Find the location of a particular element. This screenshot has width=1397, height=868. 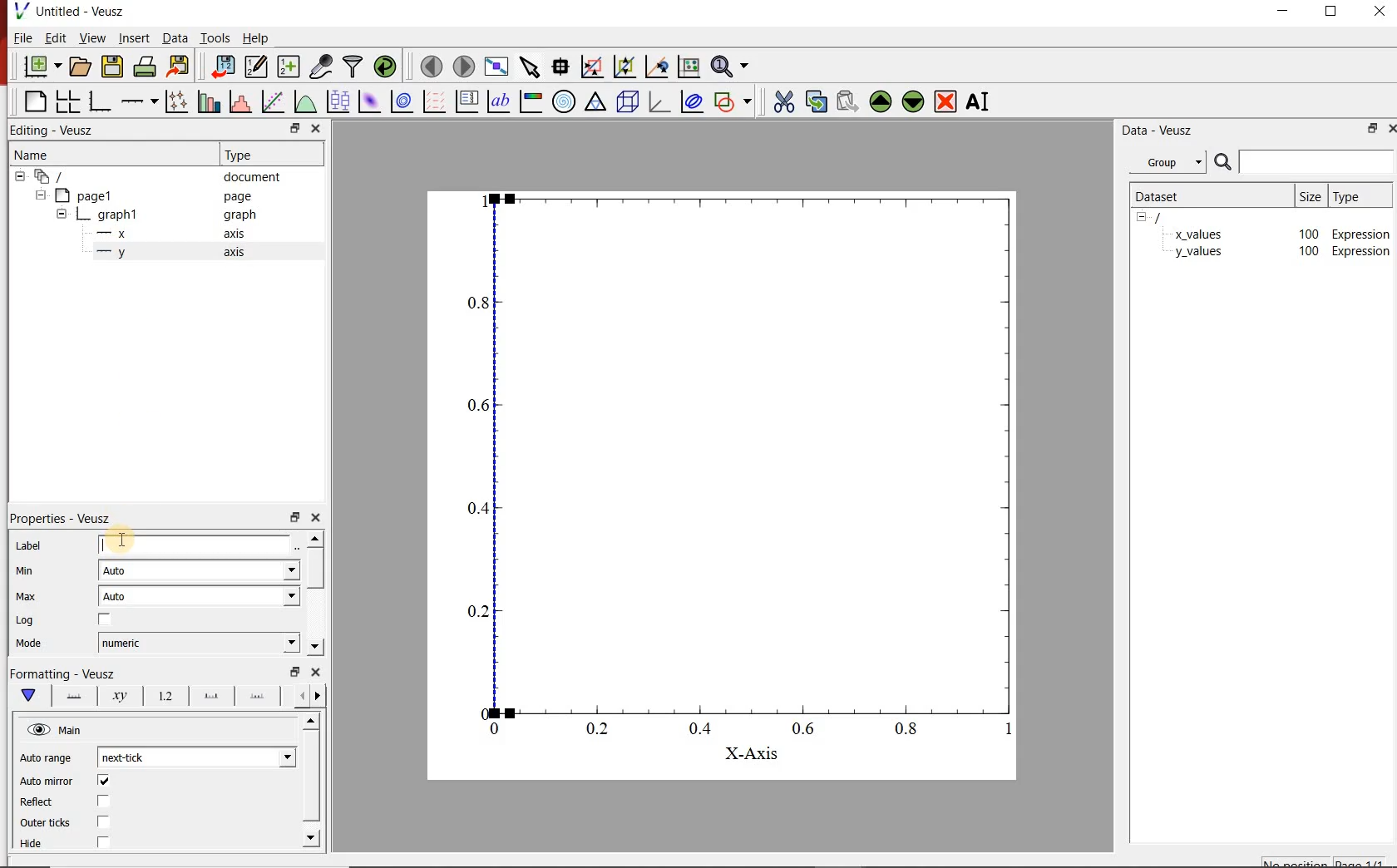

vertical scrollbar is located at coordinates (314, 569).